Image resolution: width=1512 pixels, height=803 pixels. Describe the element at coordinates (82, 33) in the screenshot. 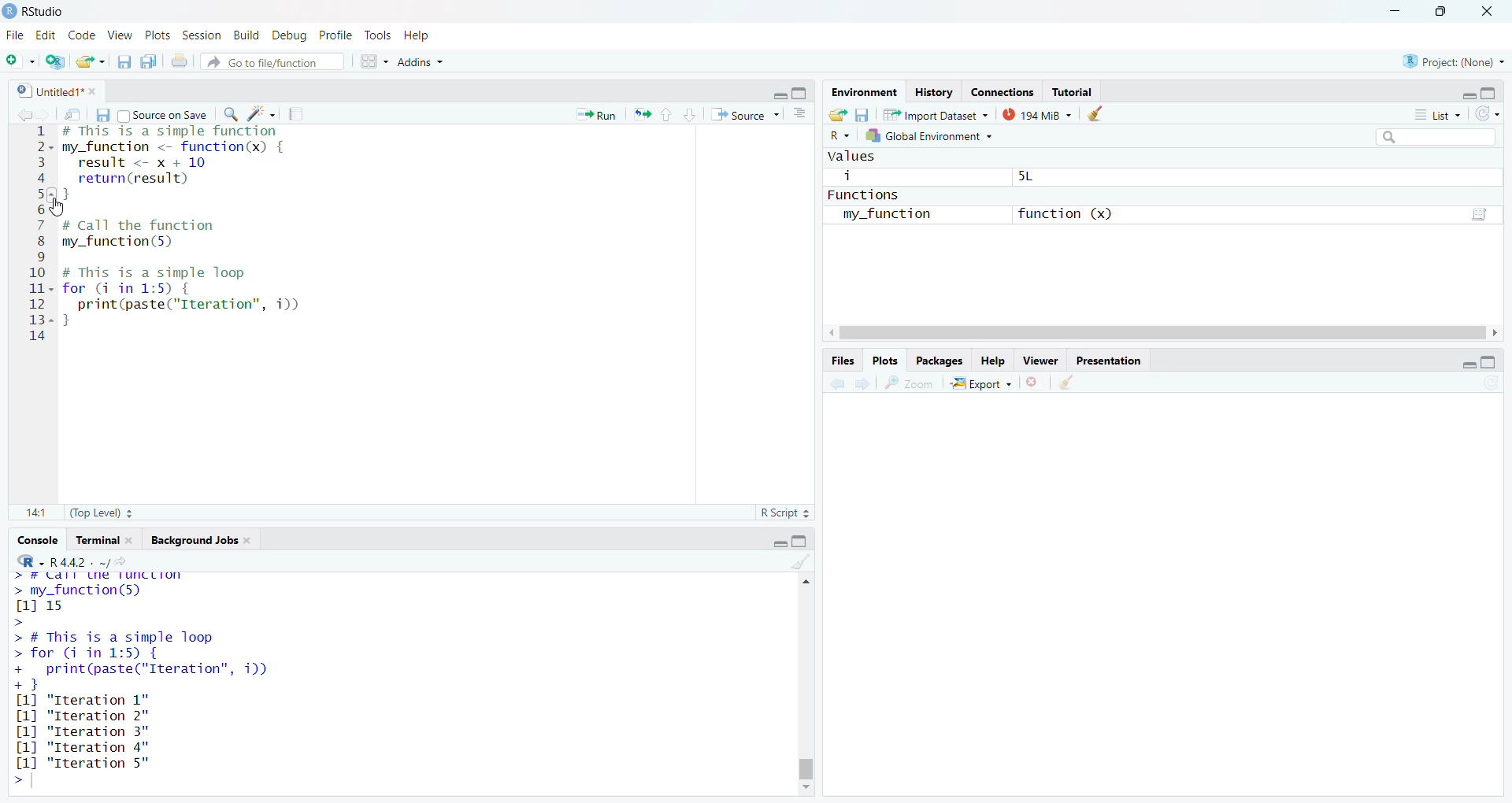

I see `code` at that location.